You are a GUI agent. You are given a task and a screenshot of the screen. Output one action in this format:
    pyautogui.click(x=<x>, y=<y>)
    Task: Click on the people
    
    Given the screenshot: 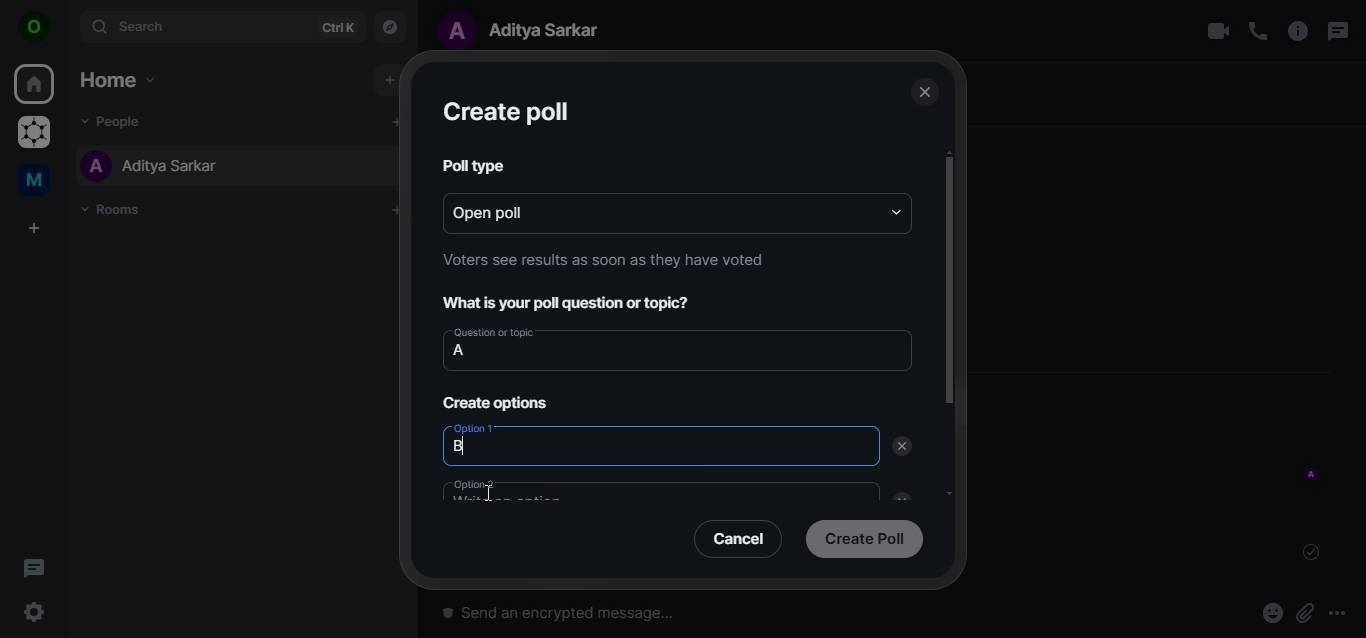 What is the action you would take?
    pyautogui.click(x=118, y=120)
    